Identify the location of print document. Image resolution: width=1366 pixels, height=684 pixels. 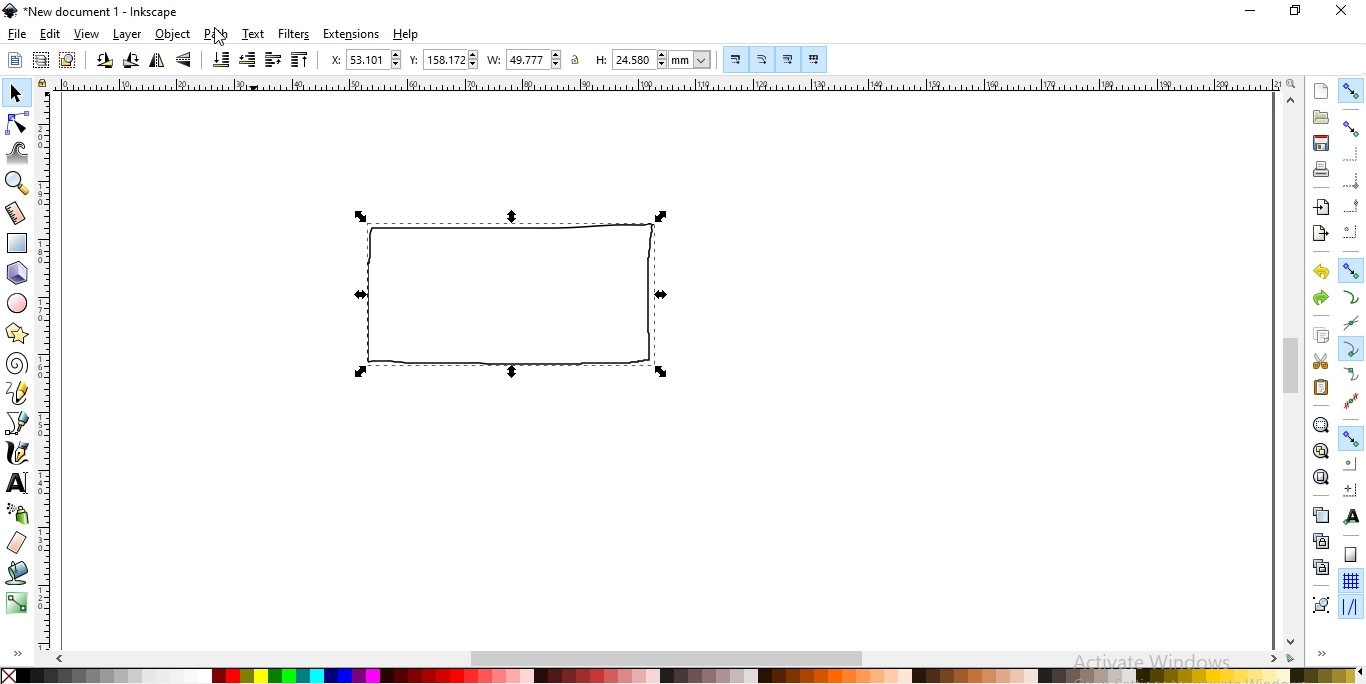
(1321, 170).